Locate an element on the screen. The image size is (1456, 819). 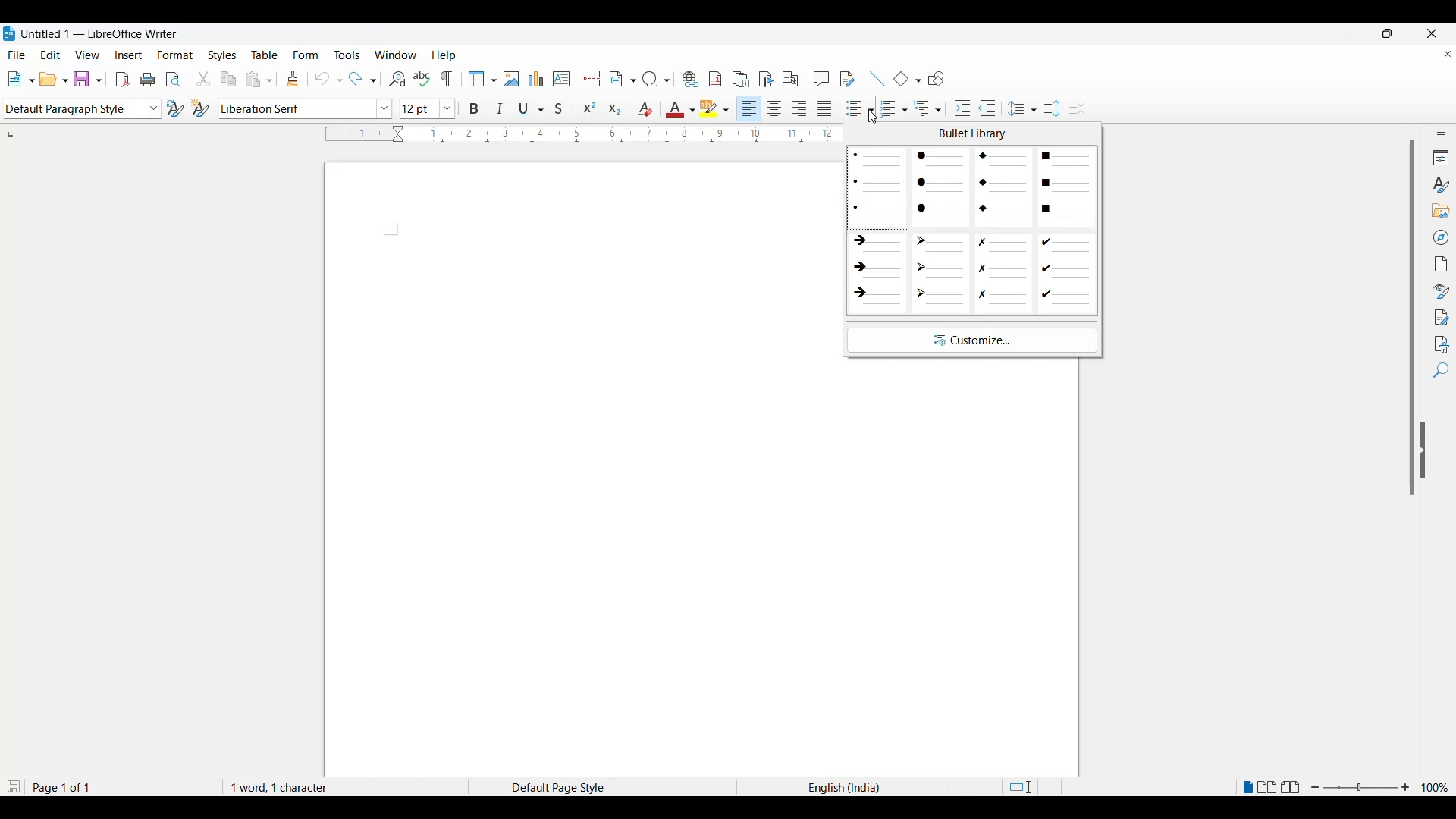
Arrow unordered bullets is located at coordinates (878, 270).